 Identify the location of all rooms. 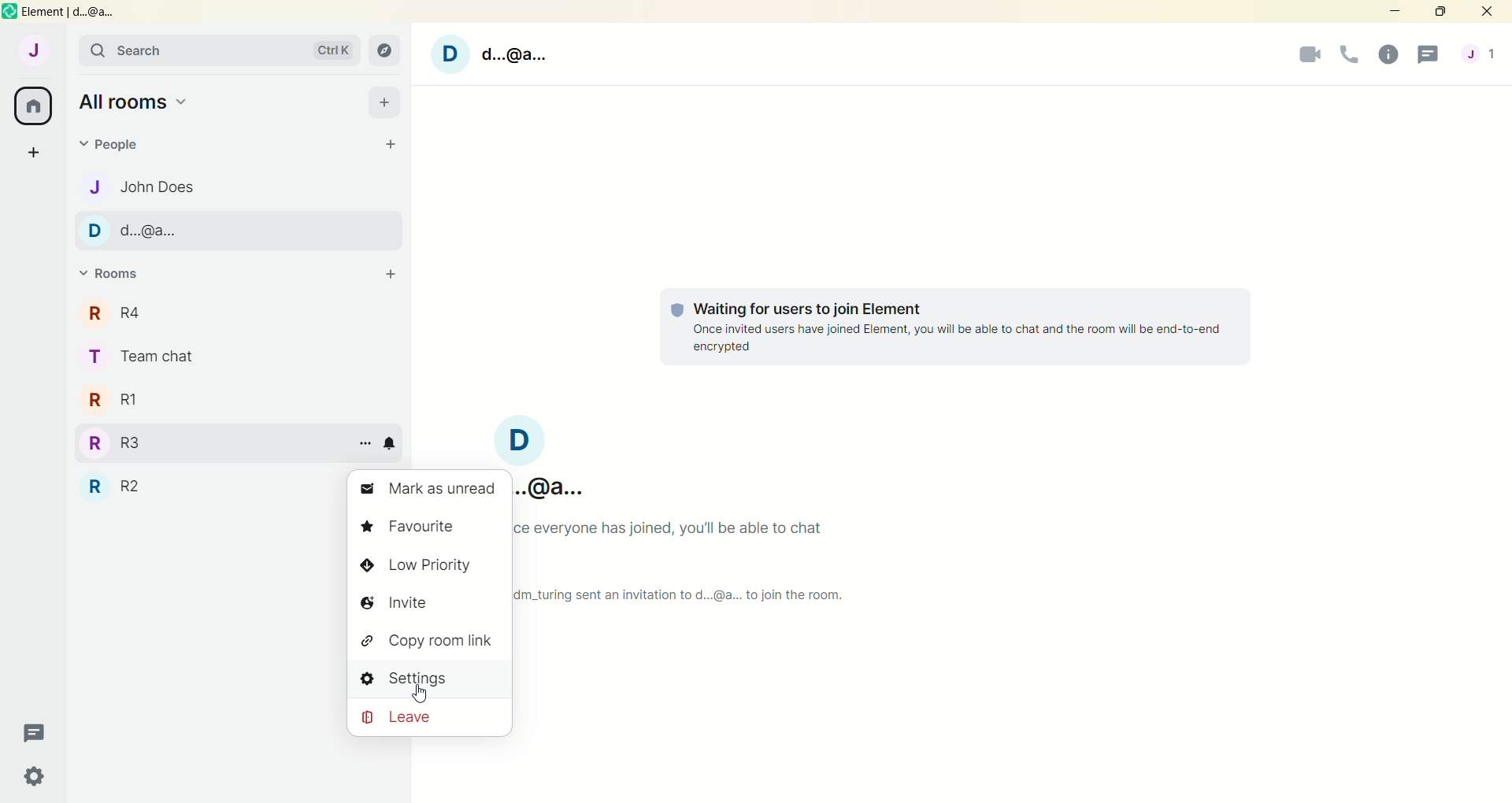
(35, 105).